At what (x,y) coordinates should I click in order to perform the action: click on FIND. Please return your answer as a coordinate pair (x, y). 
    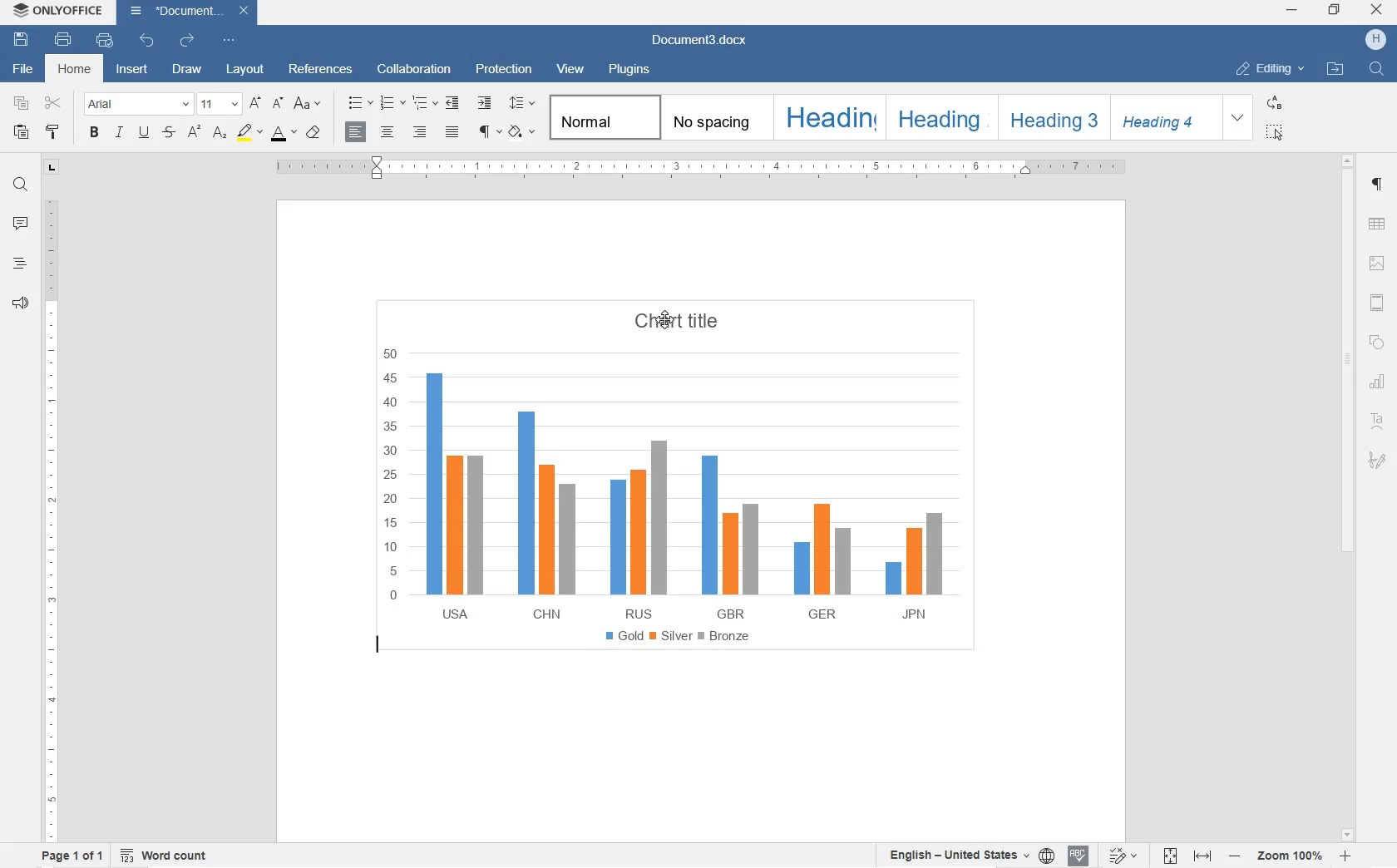
    Looking at the image, I should click on (1376, 68).